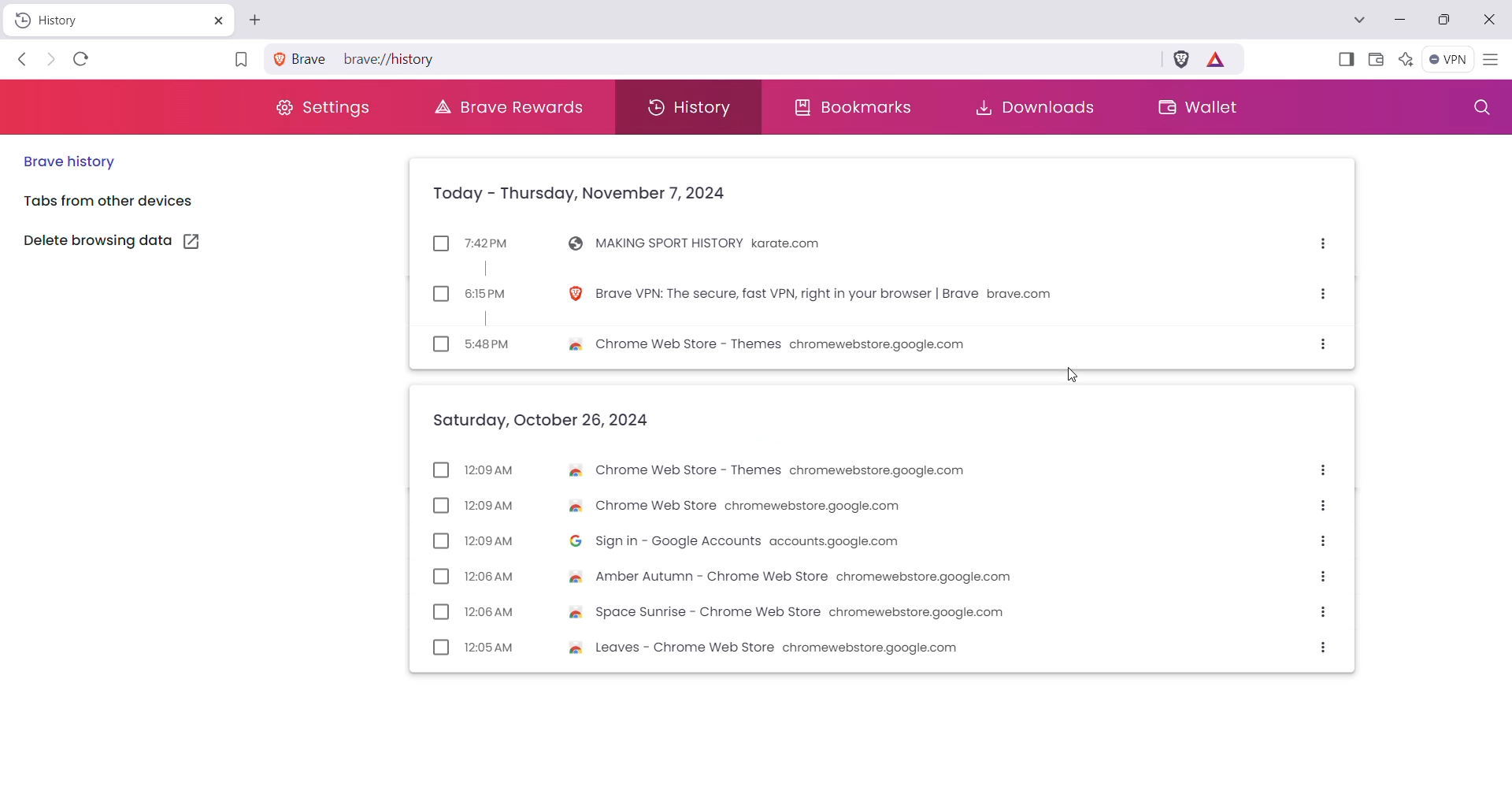  I want to click on Brave Shields, so click(1180, 59).